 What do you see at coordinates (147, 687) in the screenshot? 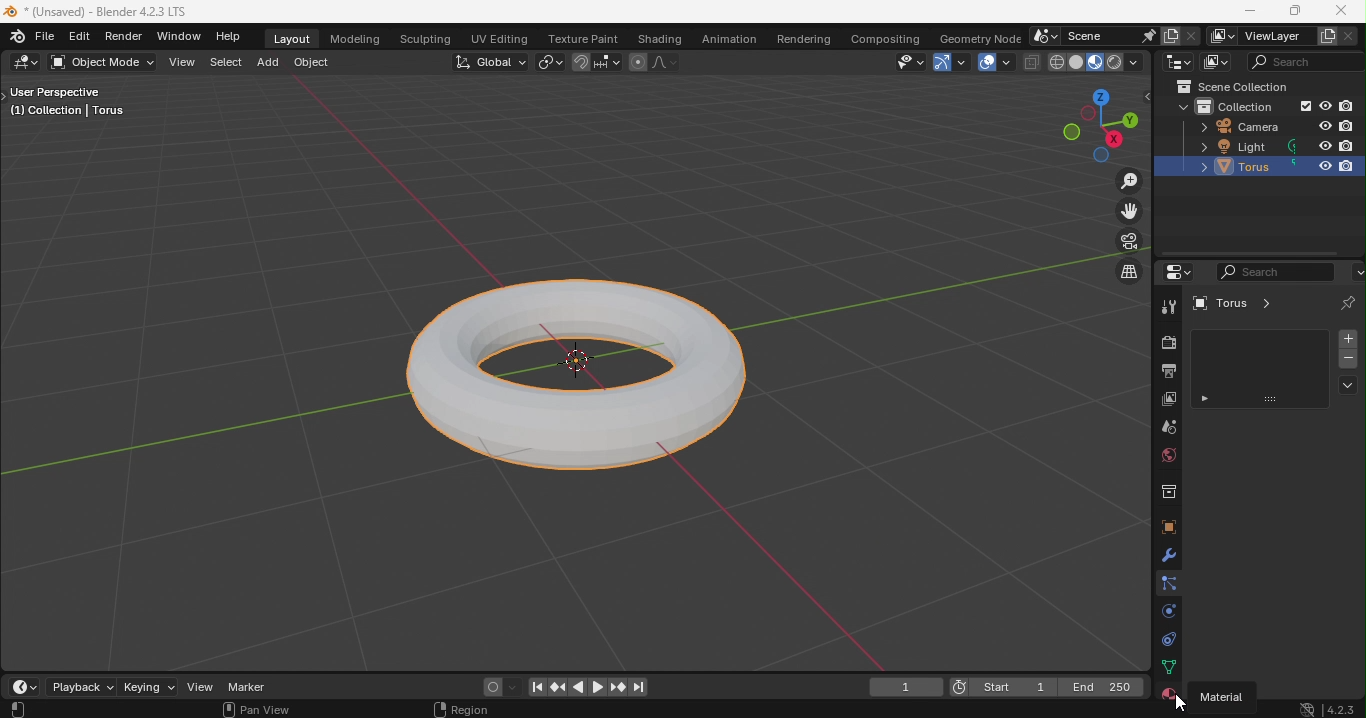
I see `Keying` at bounding box center [147, 687].